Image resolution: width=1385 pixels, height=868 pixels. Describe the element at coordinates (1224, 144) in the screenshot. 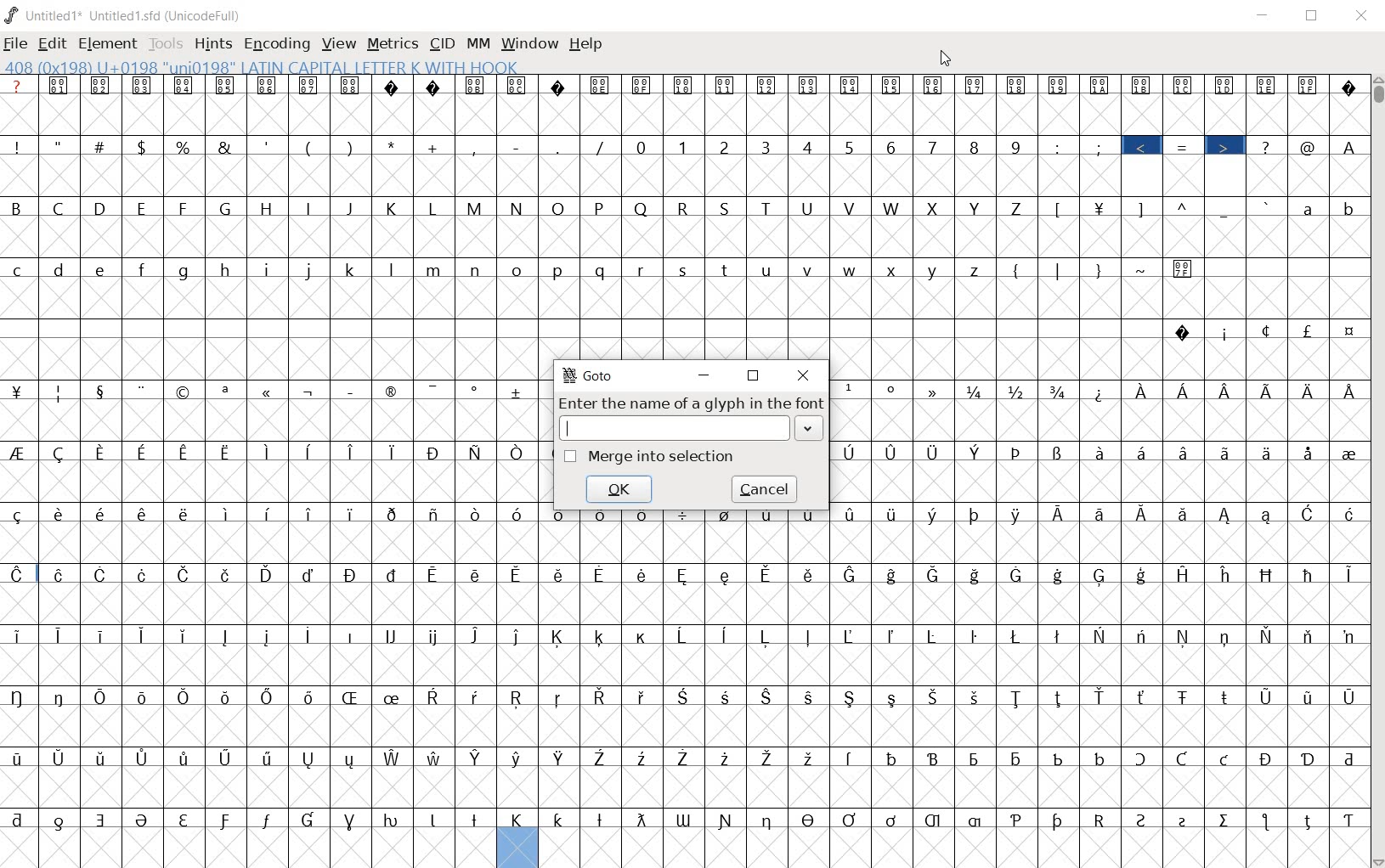

I see `highlighted symbol` at that location.